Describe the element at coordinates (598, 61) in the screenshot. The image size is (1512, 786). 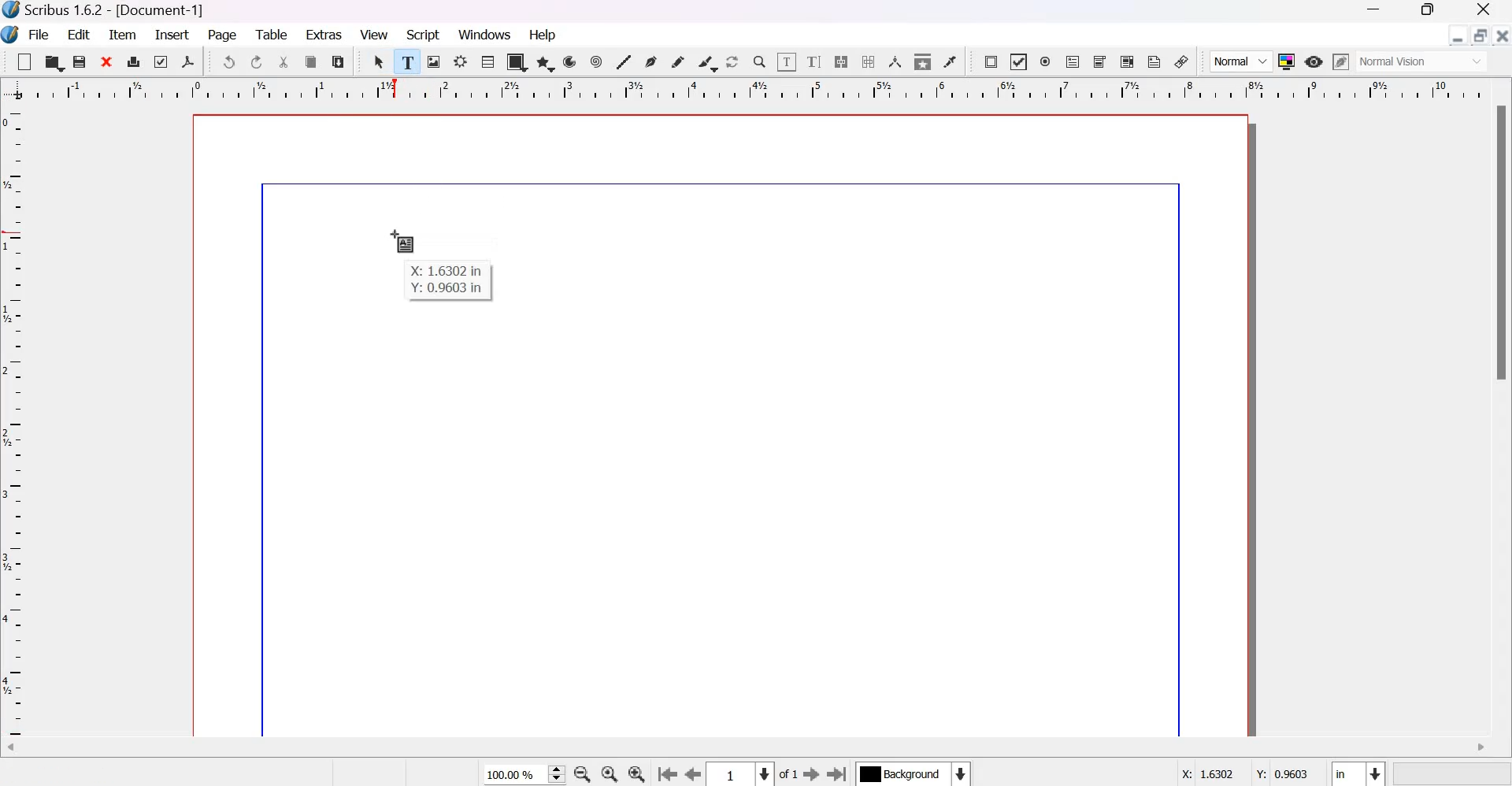
I see `spiral` at that location.